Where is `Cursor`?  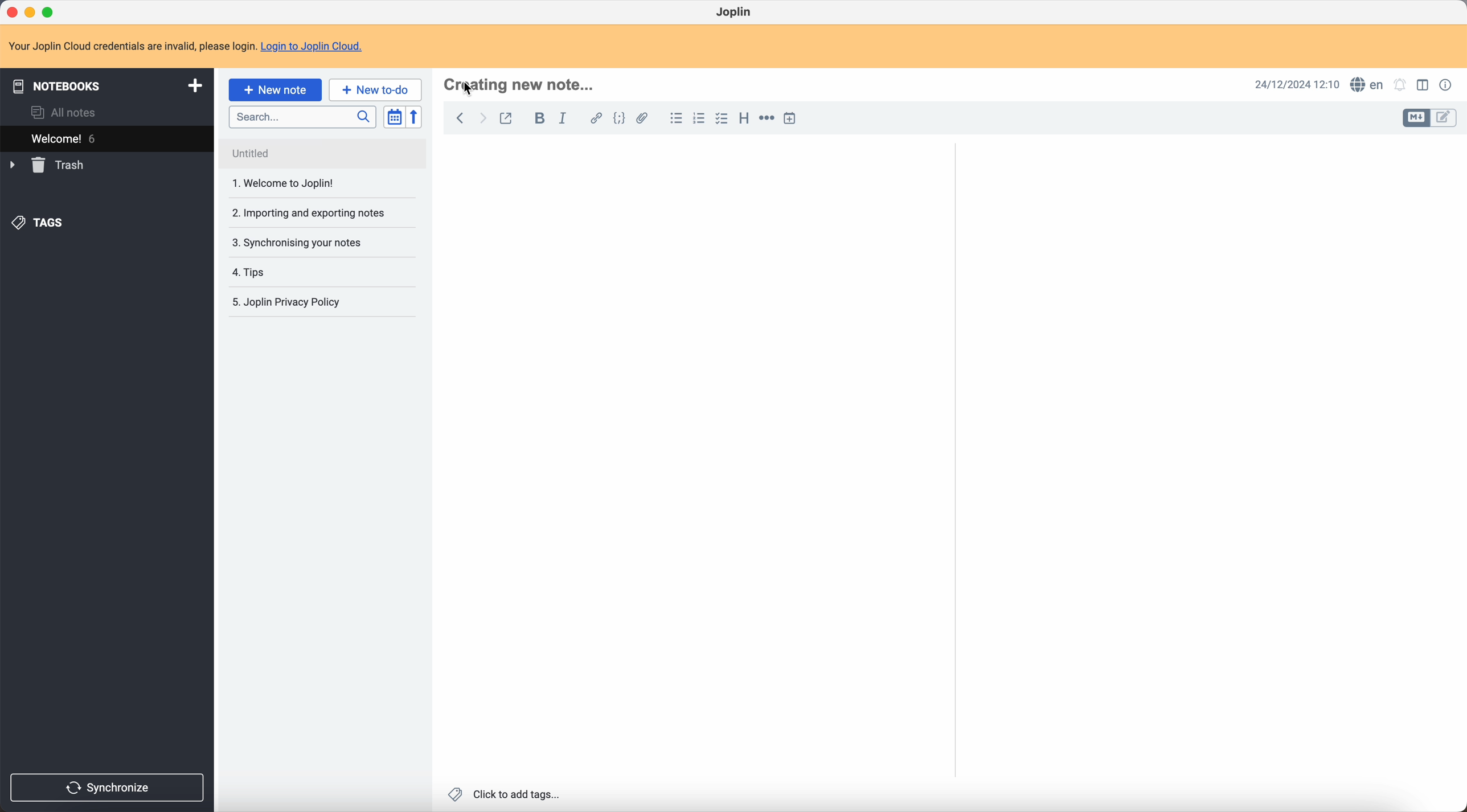
Cursor is located at coordinates (470, 90).